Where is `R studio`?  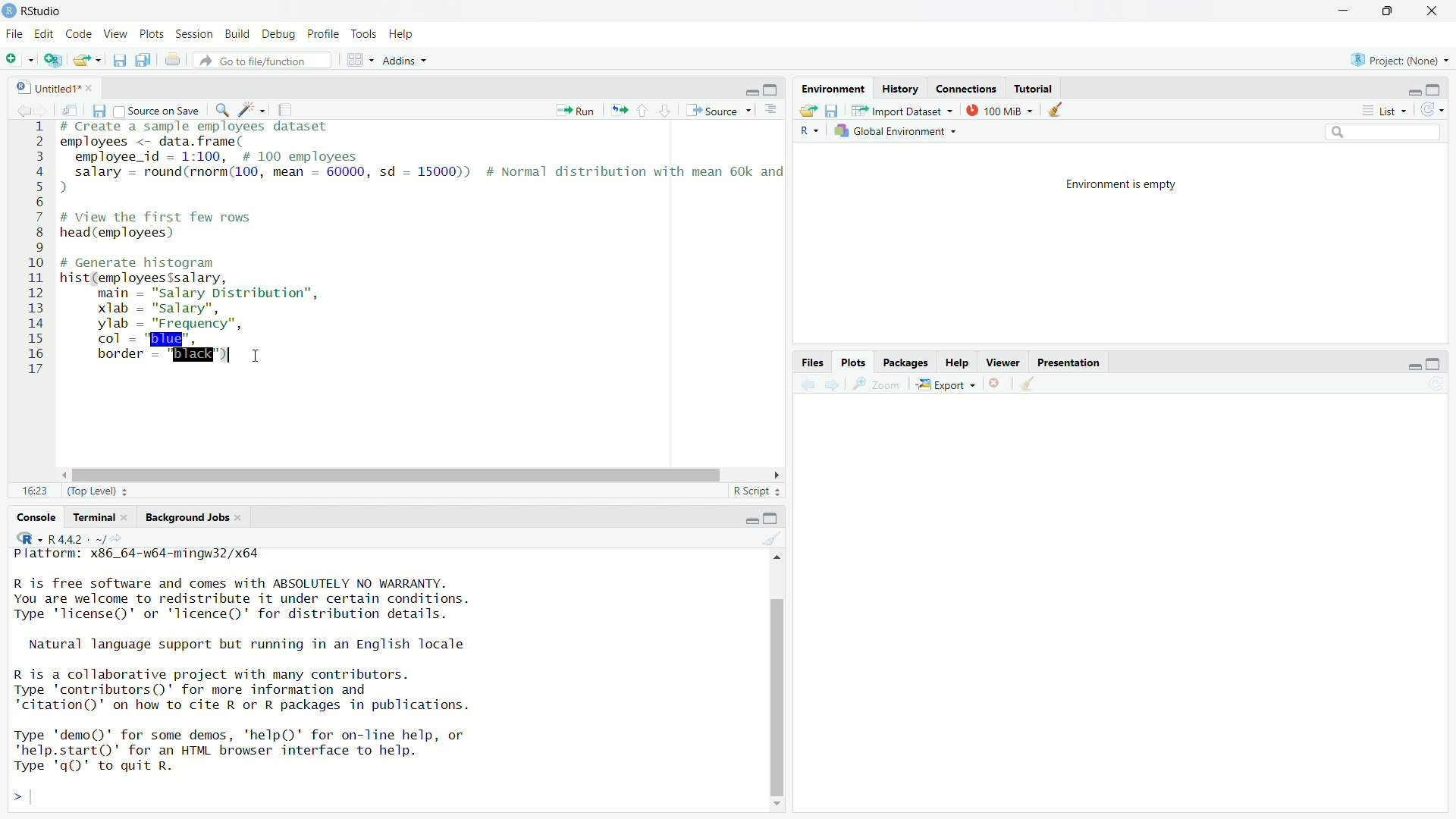 R studio is located at coordinates (42, 11).